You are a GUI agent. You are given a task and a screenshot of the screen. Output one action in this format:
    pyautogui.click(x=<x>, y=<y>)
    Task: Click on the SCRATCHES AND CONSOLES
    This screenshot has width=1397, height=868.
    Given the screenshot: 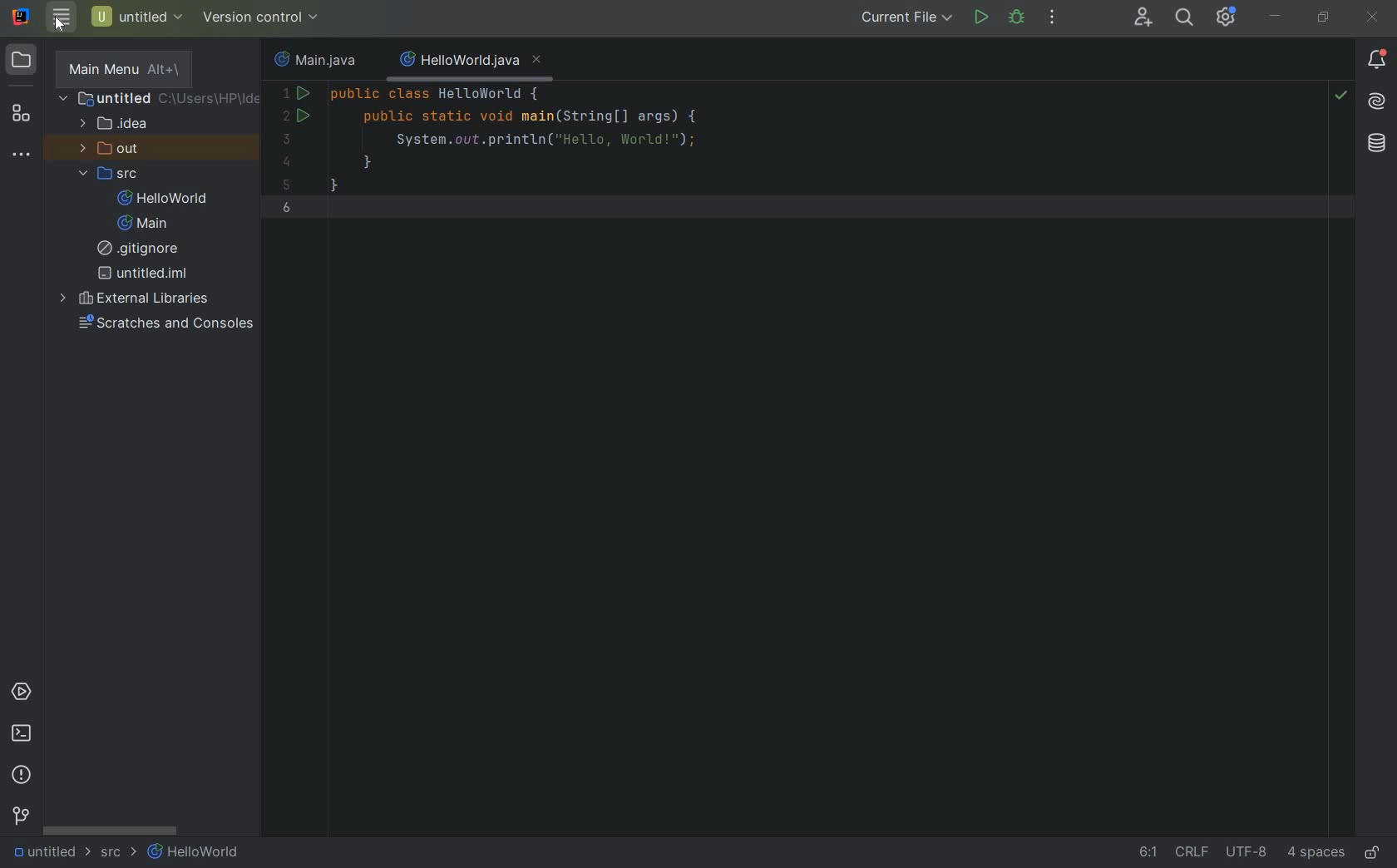 What is the action you would take?
    pyautogui.click(x=165, y=323)
    